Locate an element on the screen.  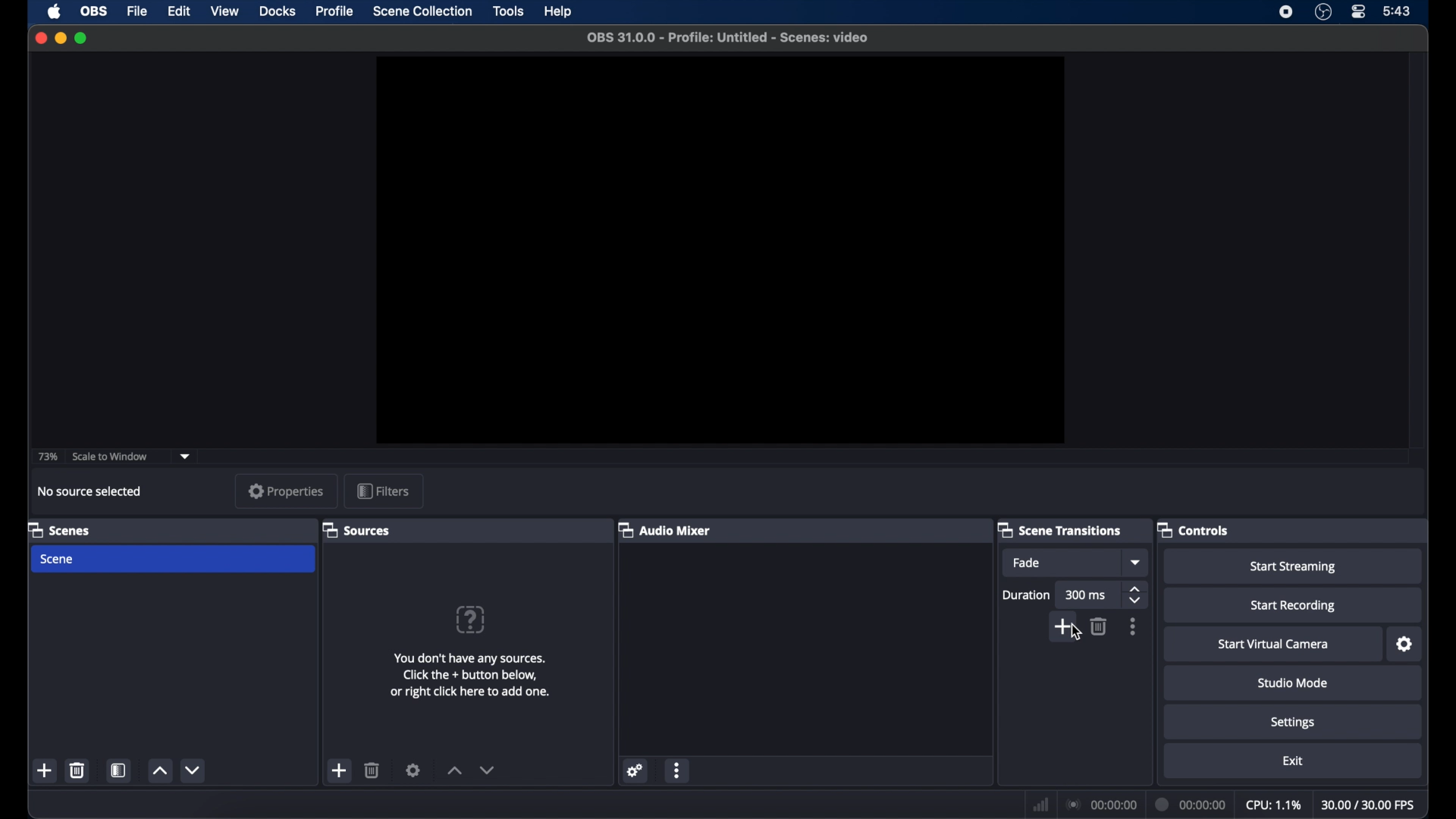
more options is located at coordinates (1133, 626).